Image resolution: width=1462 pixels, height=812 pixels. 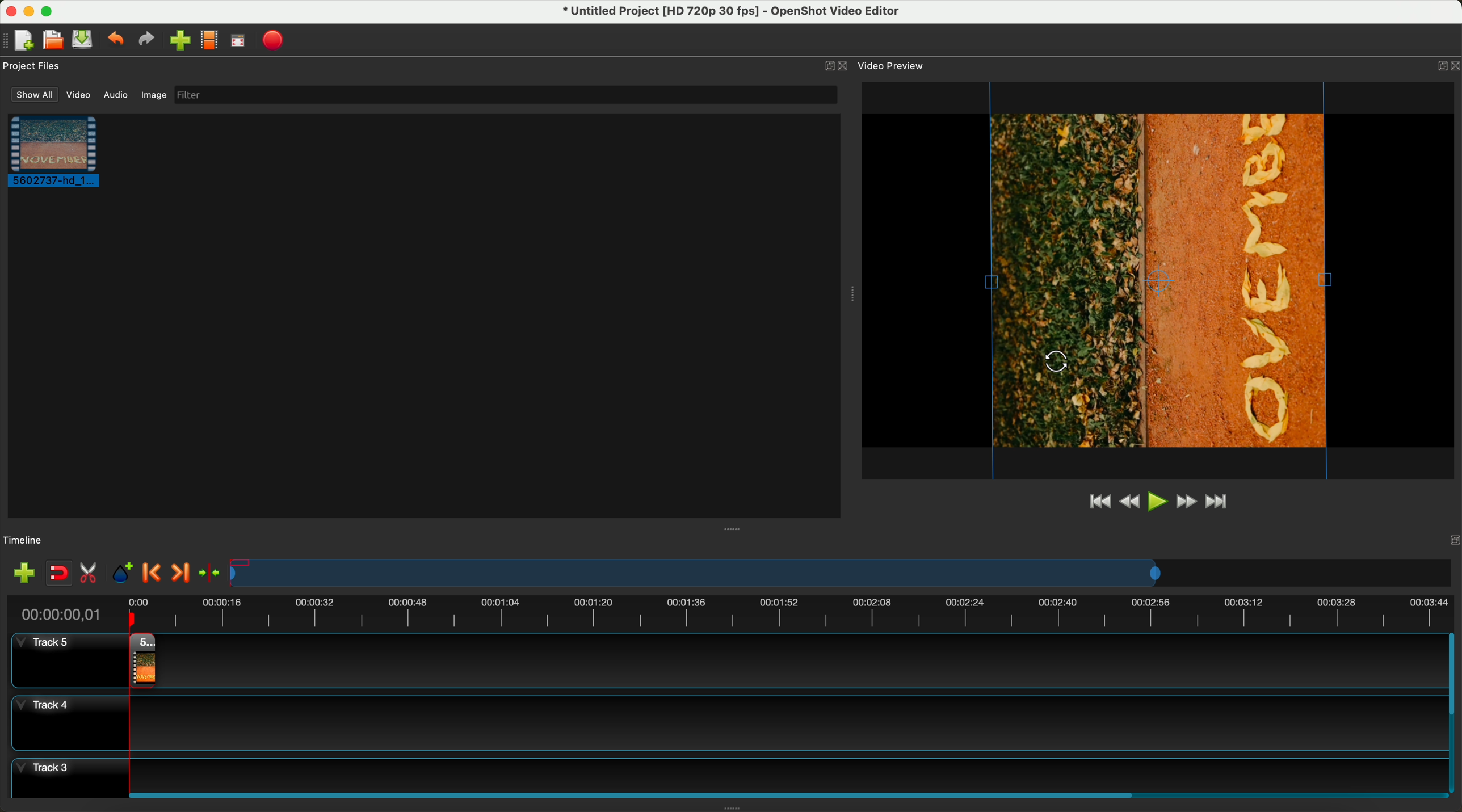 What do you see at coordinates (30, 11) in the screenshot?
I see `minimize` at bounding box center [30, 11].